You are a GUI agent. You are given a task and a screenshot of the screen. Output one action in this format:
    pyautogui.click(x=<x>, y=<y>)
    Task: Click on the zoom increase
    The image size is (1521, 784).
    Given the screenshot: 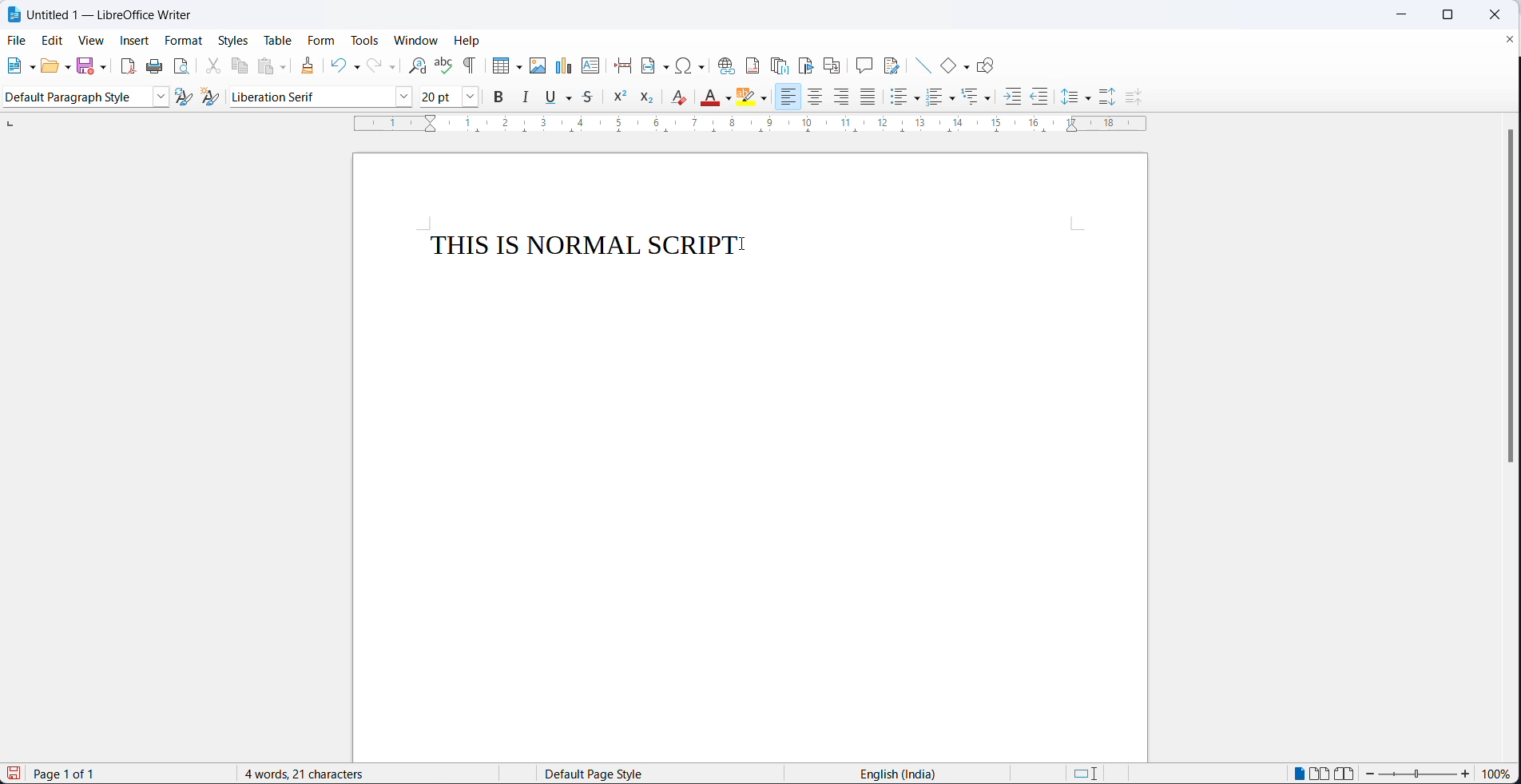 What is the action you would take?
    pyautogui.click(x=1372, y=774)
    